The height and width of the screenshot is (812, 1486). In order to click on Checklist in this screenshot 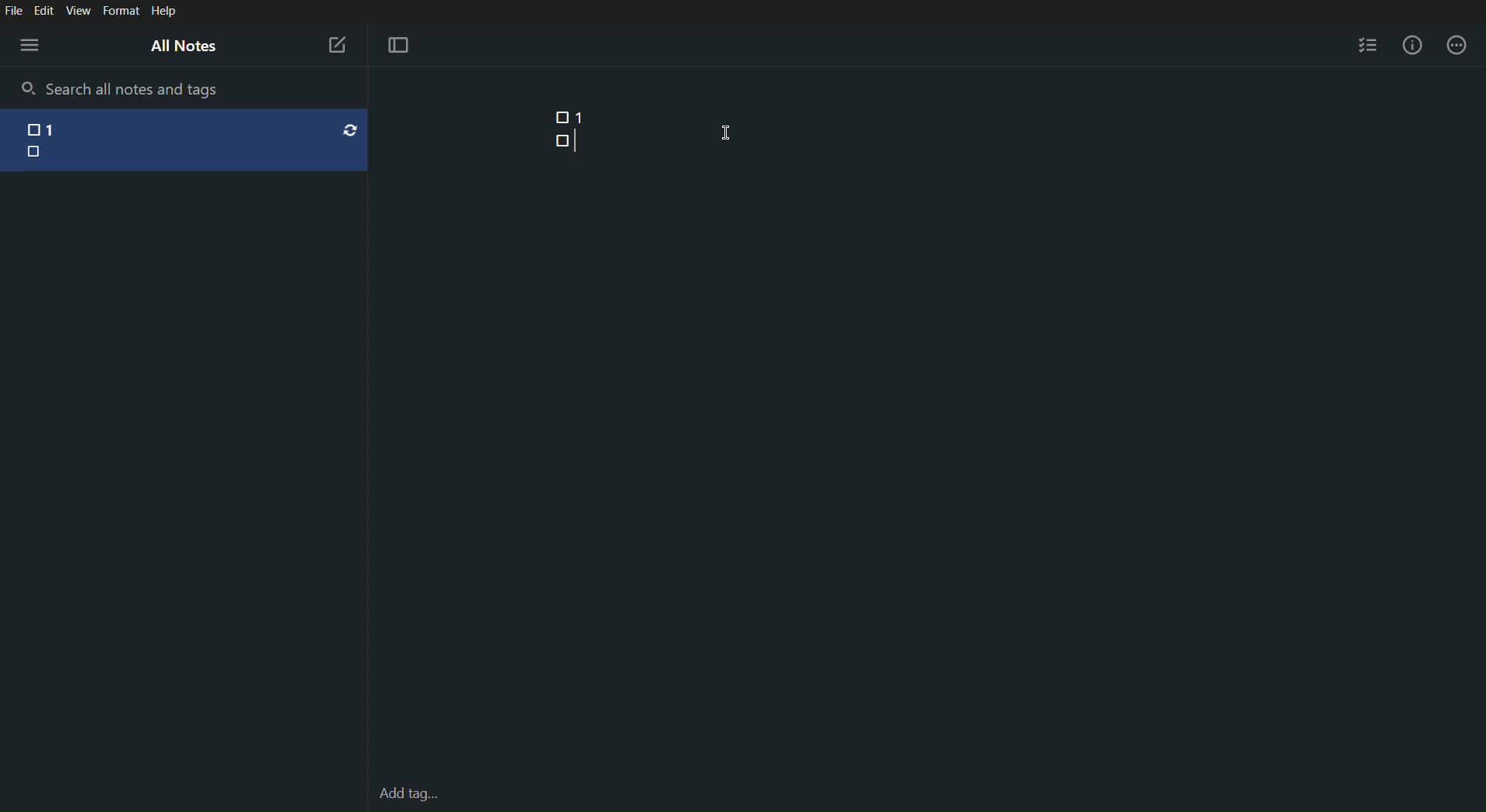, I will do `click(1367, 43)`.